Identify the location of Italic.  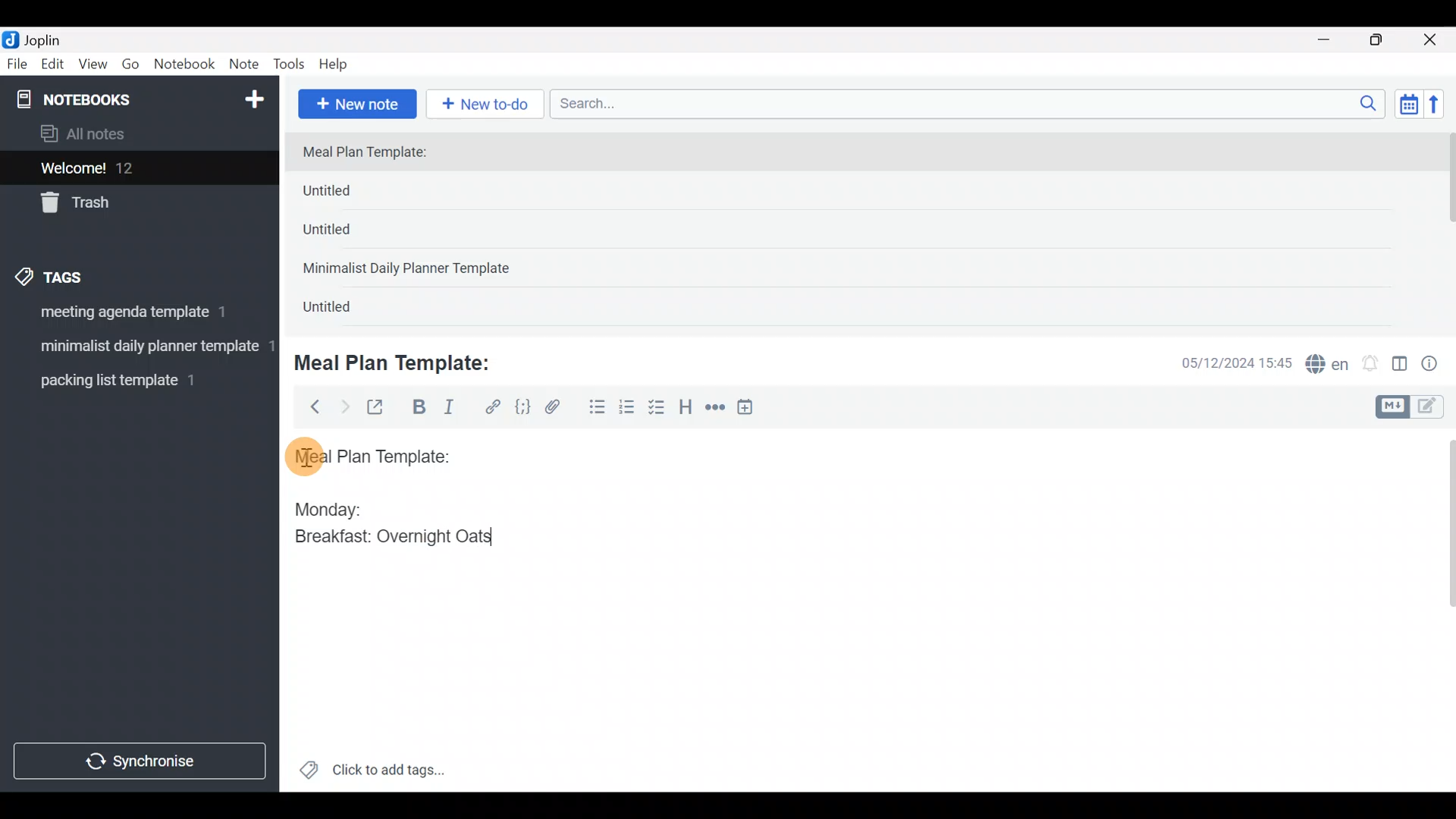
(447, 410).